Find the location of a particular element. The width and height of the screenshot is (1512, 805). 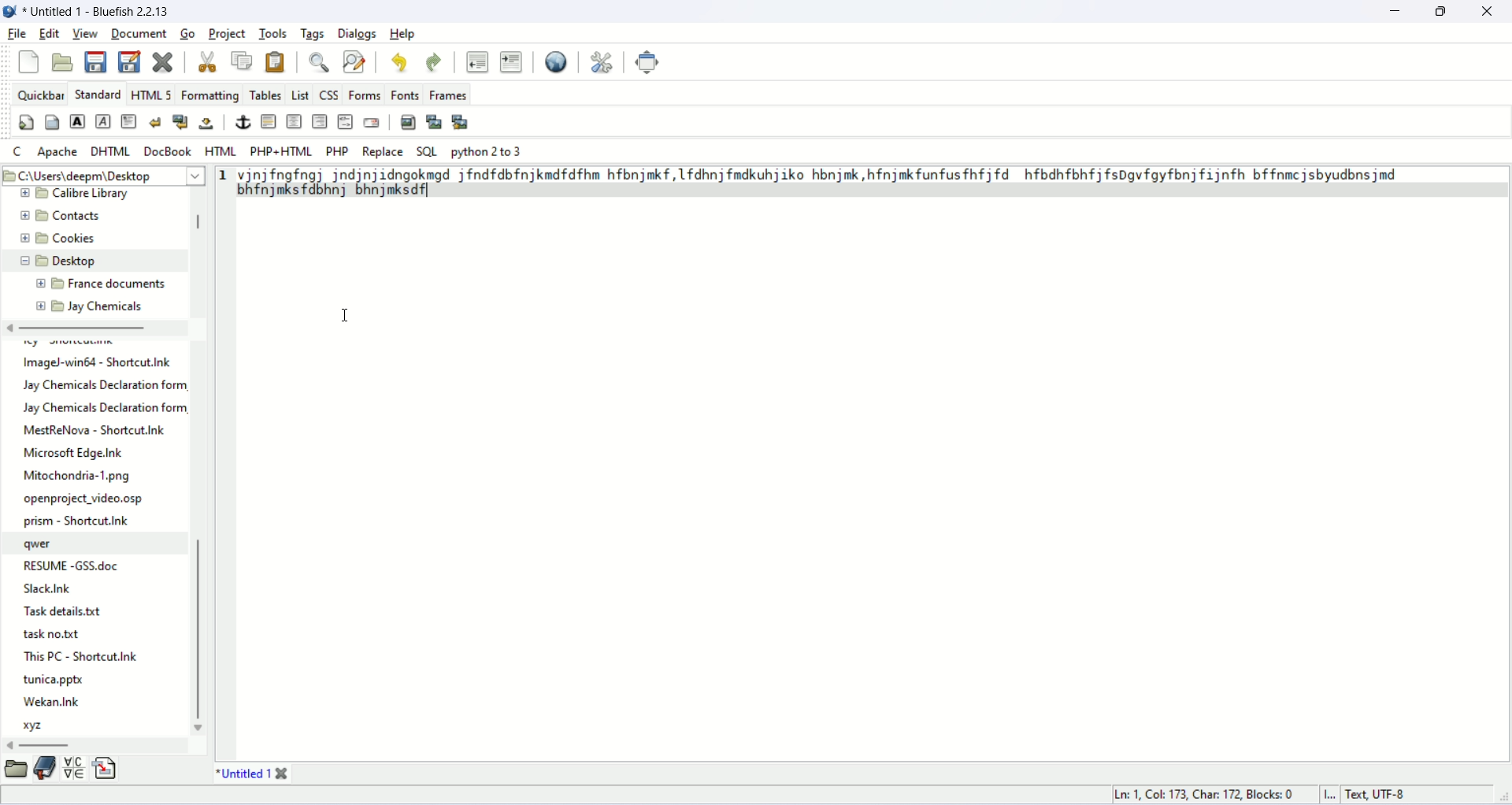

minimize is located at coordinates (1395, 11).